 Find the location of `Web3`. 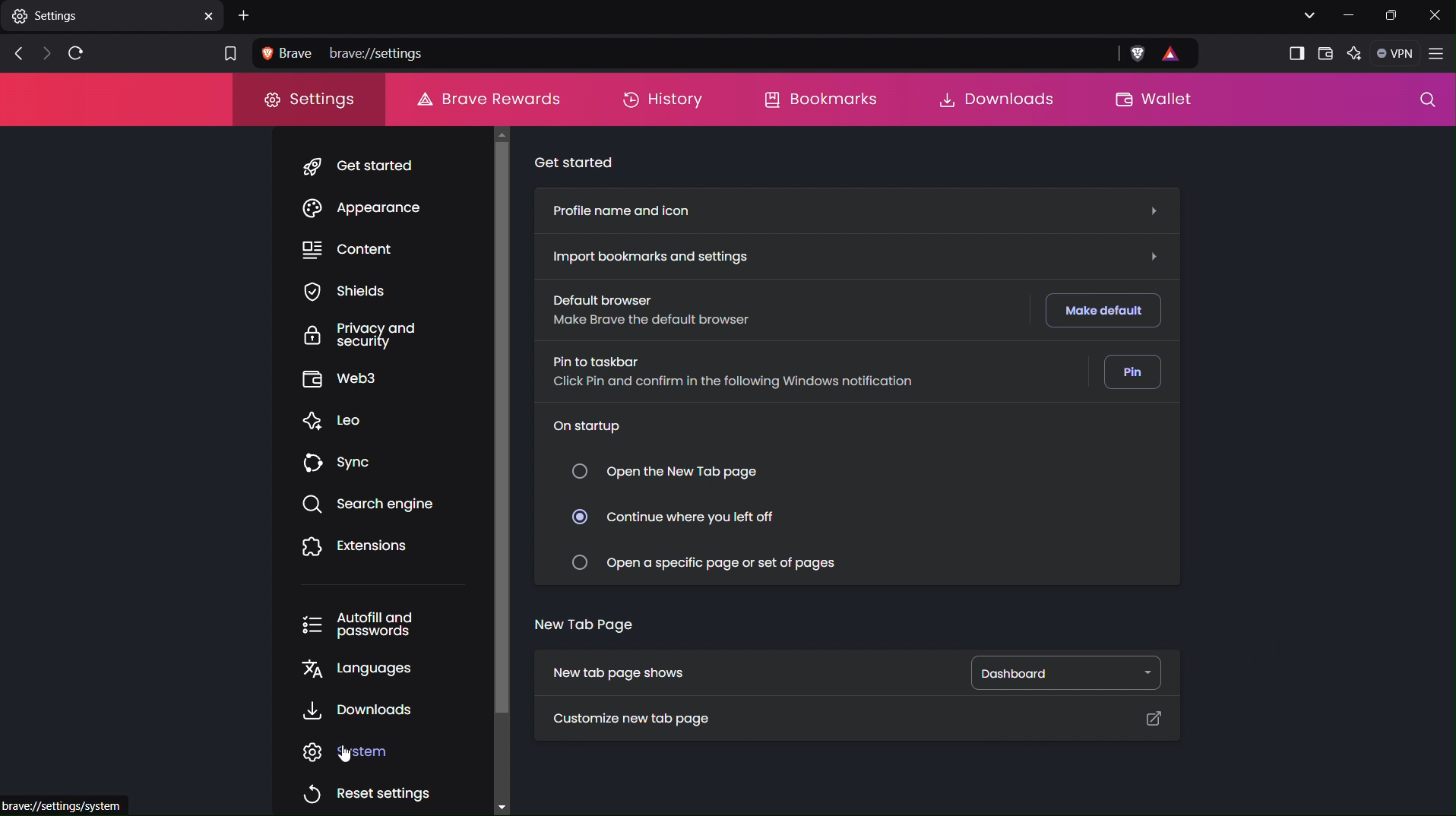

Web3 is located at coordinates (357, 381).